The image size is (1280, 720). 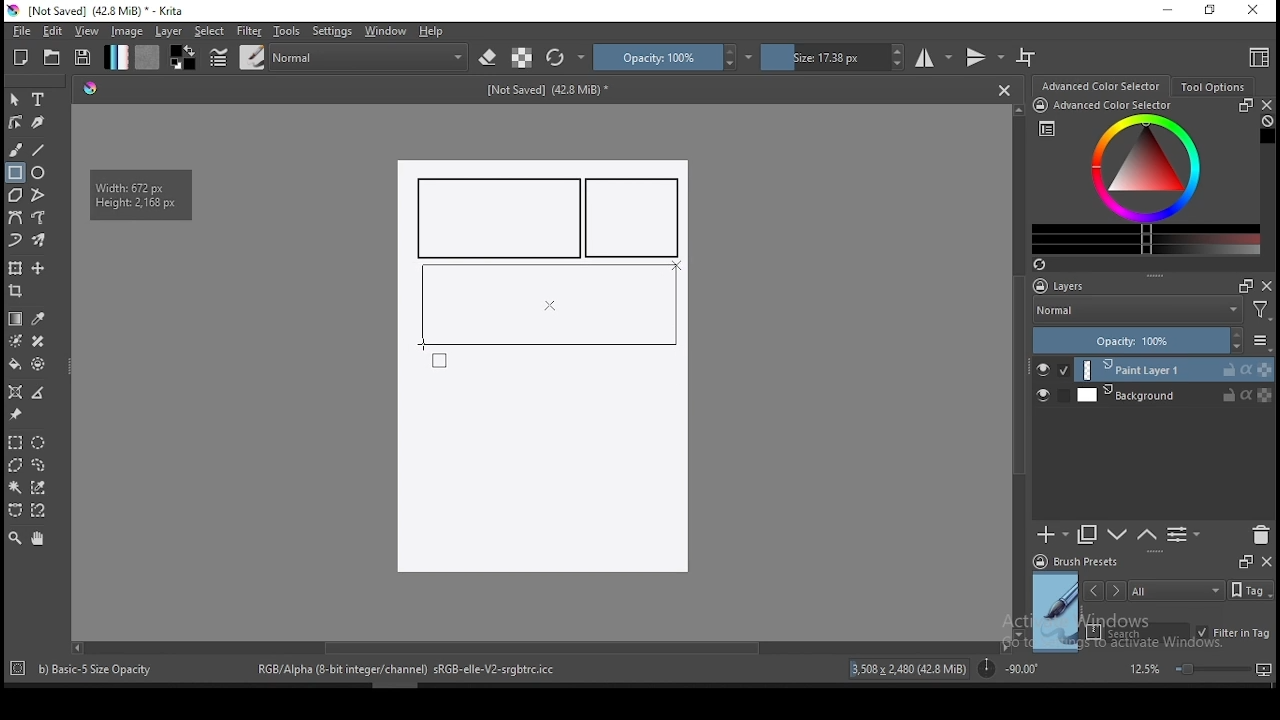 What do you see at coordinates (210, 31) in the screenshot?
I see `select` at bounding box center [210, 31].